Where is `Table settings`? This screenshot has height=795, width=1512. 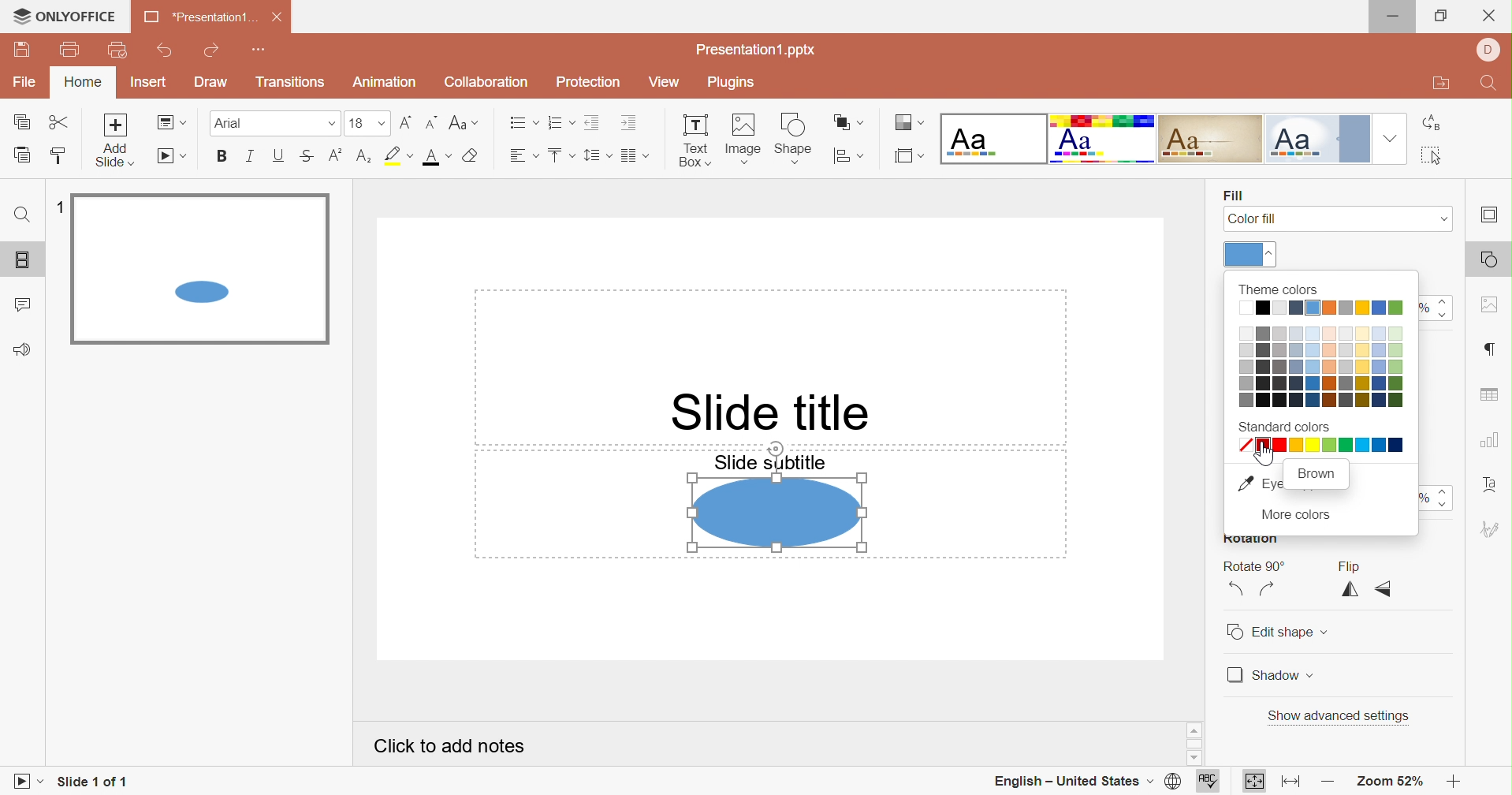
Table settings is located at coordinates (1492, 396).